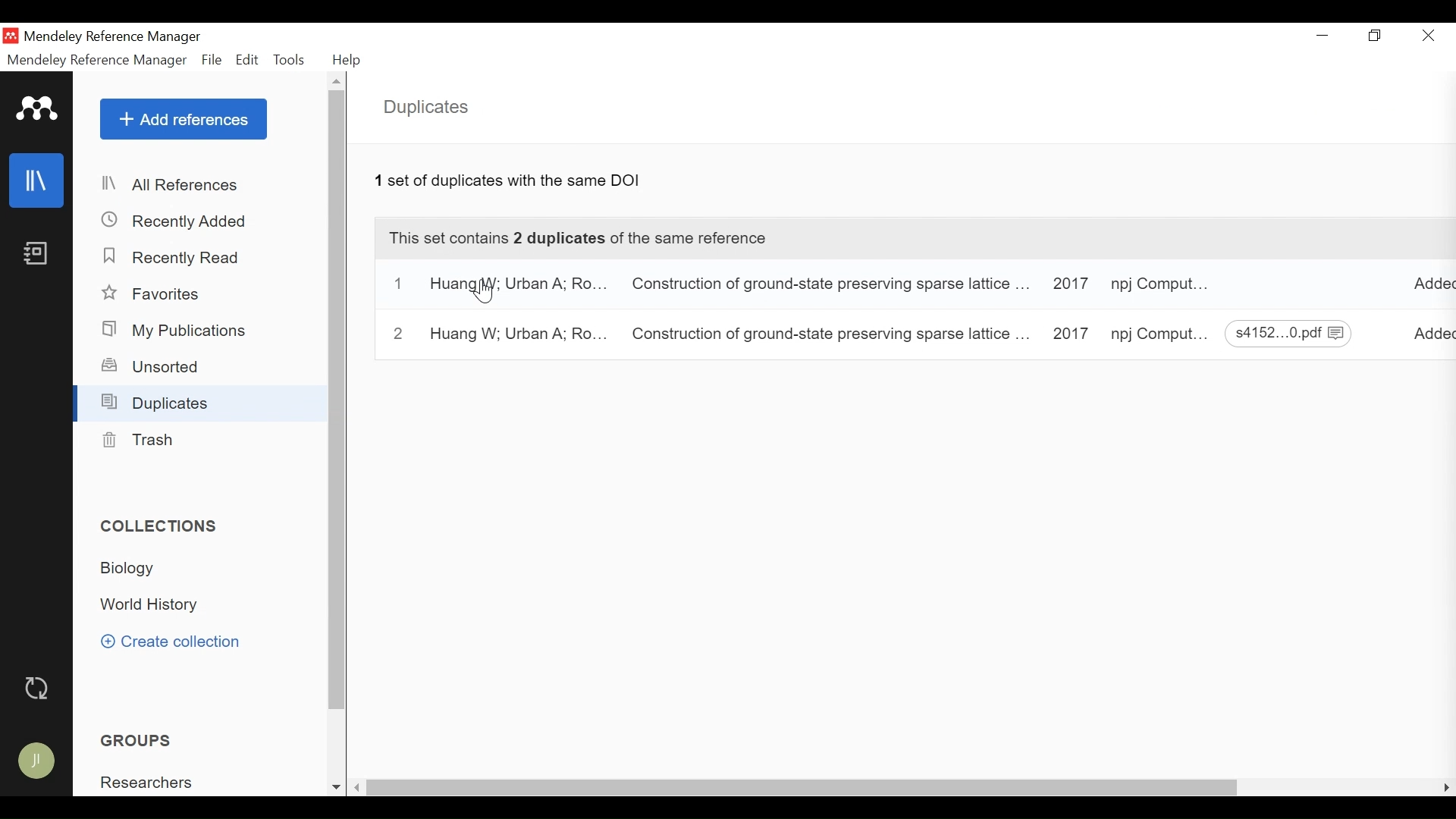 This screenshot has width=1456, height=819. What do you see at coordinates (151, 366) in the screenshot?
I see `Unsorted` at bounding box center [151, 366].